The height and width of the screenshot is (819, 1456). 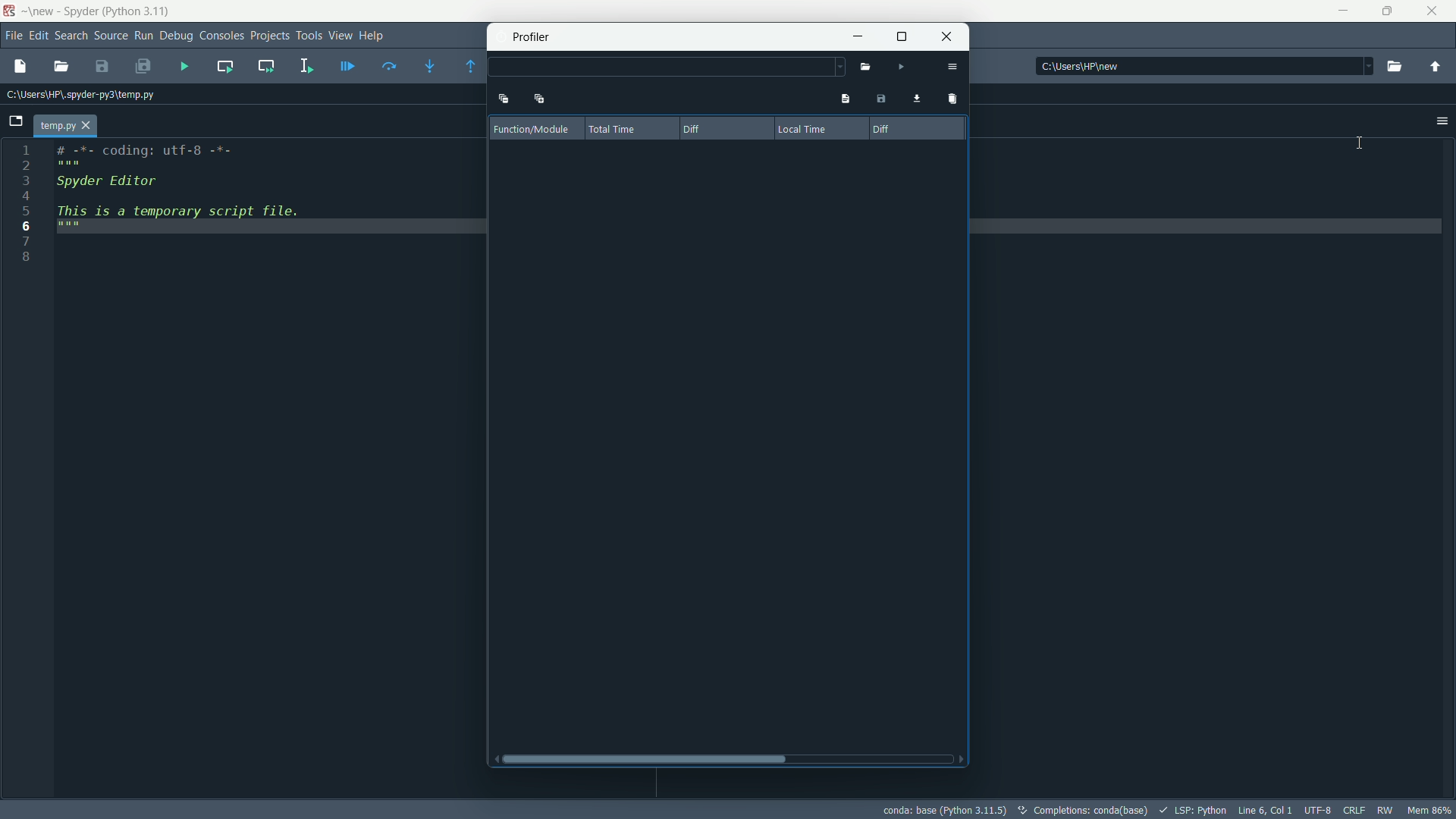 I want to click on 3, so click(x=25, y=178).